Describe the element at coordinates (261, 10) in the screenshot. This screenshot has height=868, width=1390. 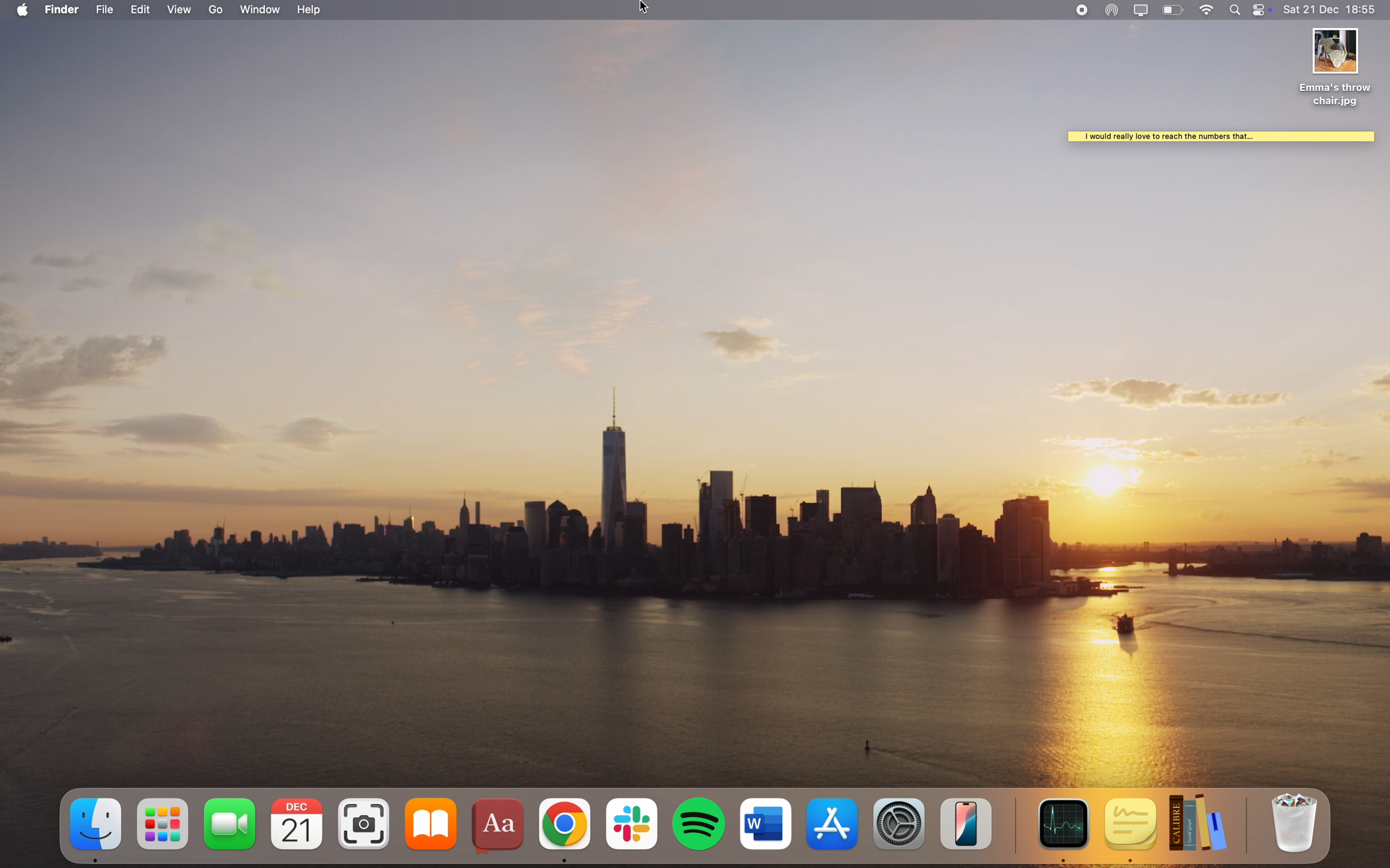
I see `window` at that location.